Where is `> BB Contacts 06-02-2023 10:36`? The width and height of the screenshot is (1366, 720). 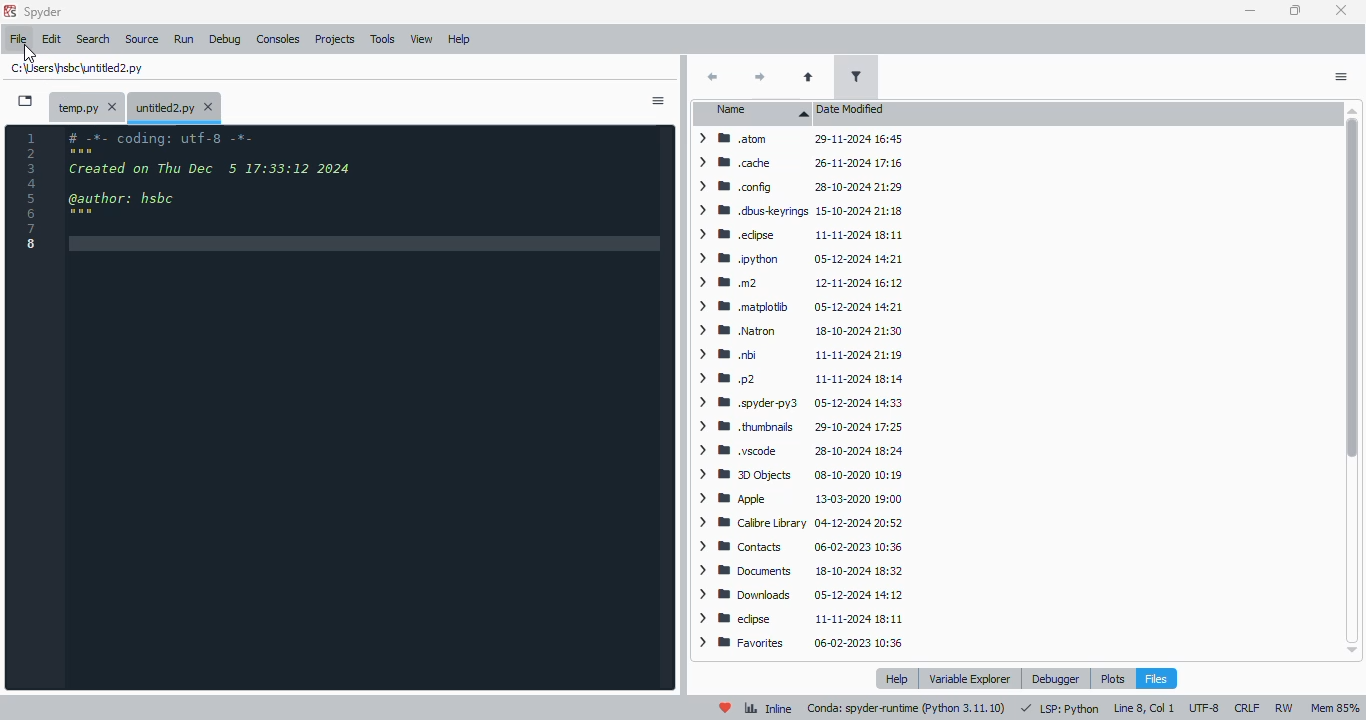
> BB Contacts 06-02-2023 10:36 is located at coordinates (799, 545).